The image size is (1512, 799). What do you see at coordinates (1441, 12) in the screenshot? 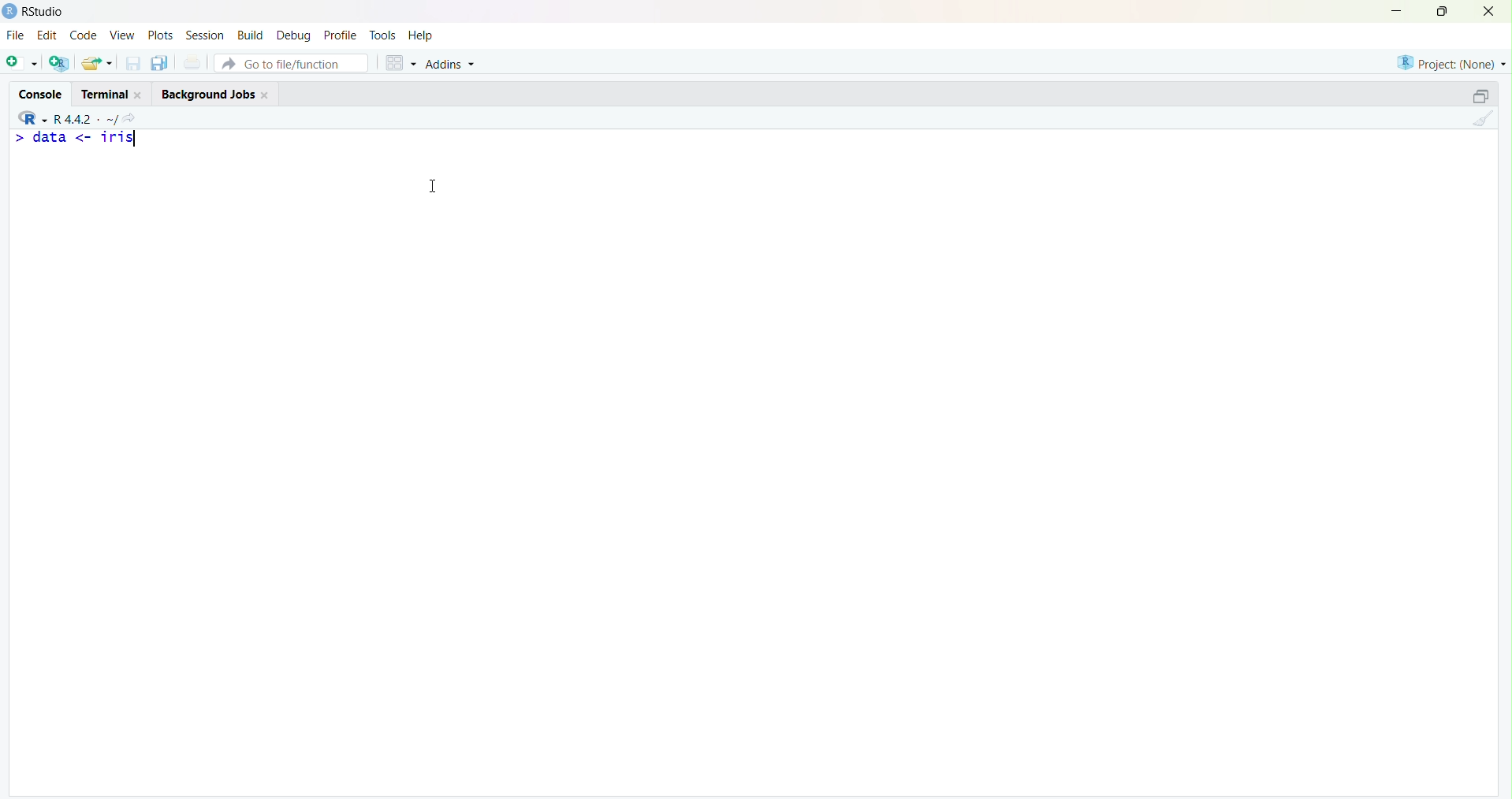
I see `Maximize` at bounding box center [1441, 12].